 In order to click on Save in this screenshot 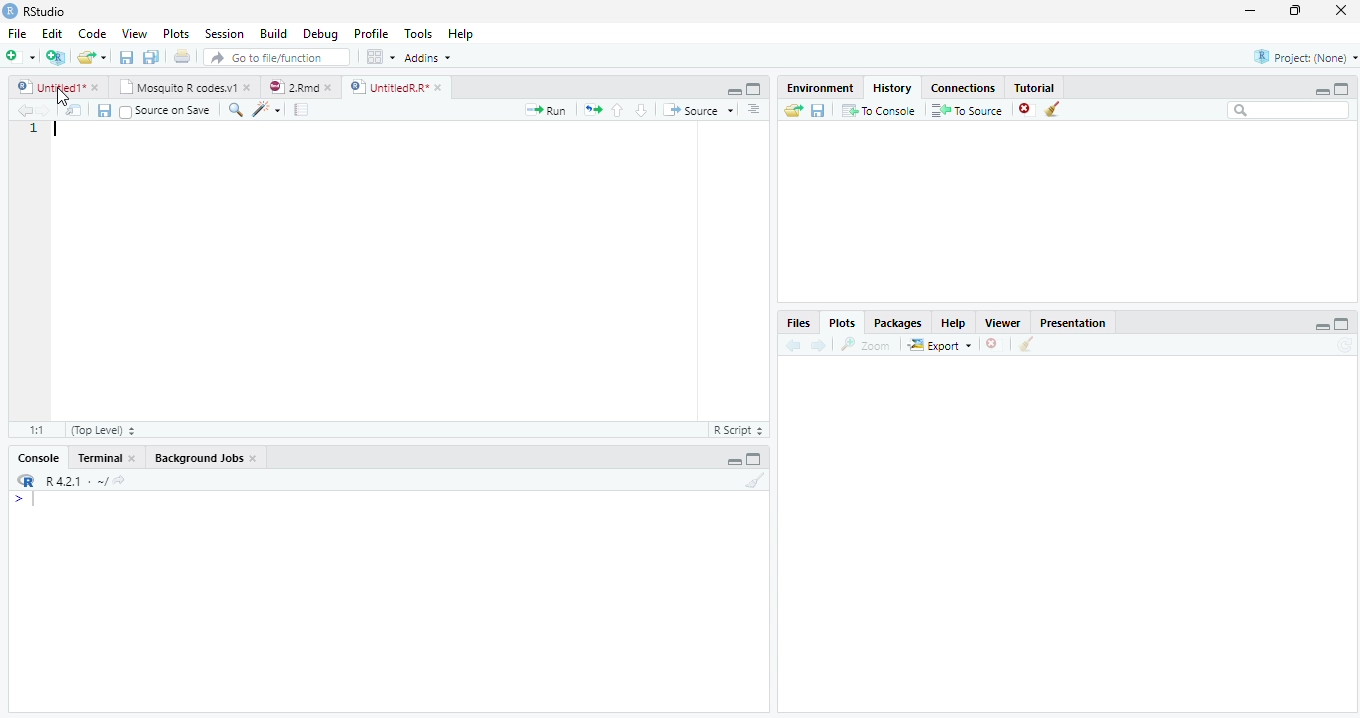, I will do `click(817, 113)`.